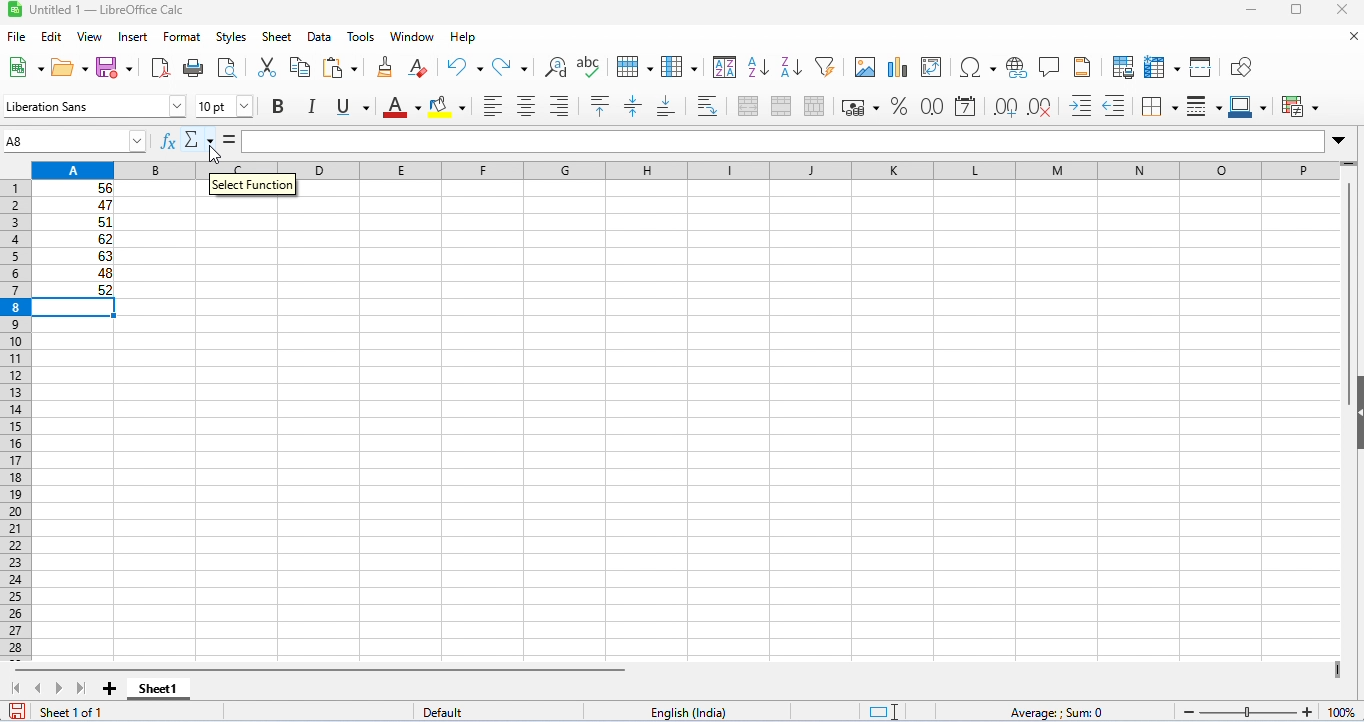 This screenshot has width=1364, height=722. I want to click on insert header and footer, so click(1082, 67).